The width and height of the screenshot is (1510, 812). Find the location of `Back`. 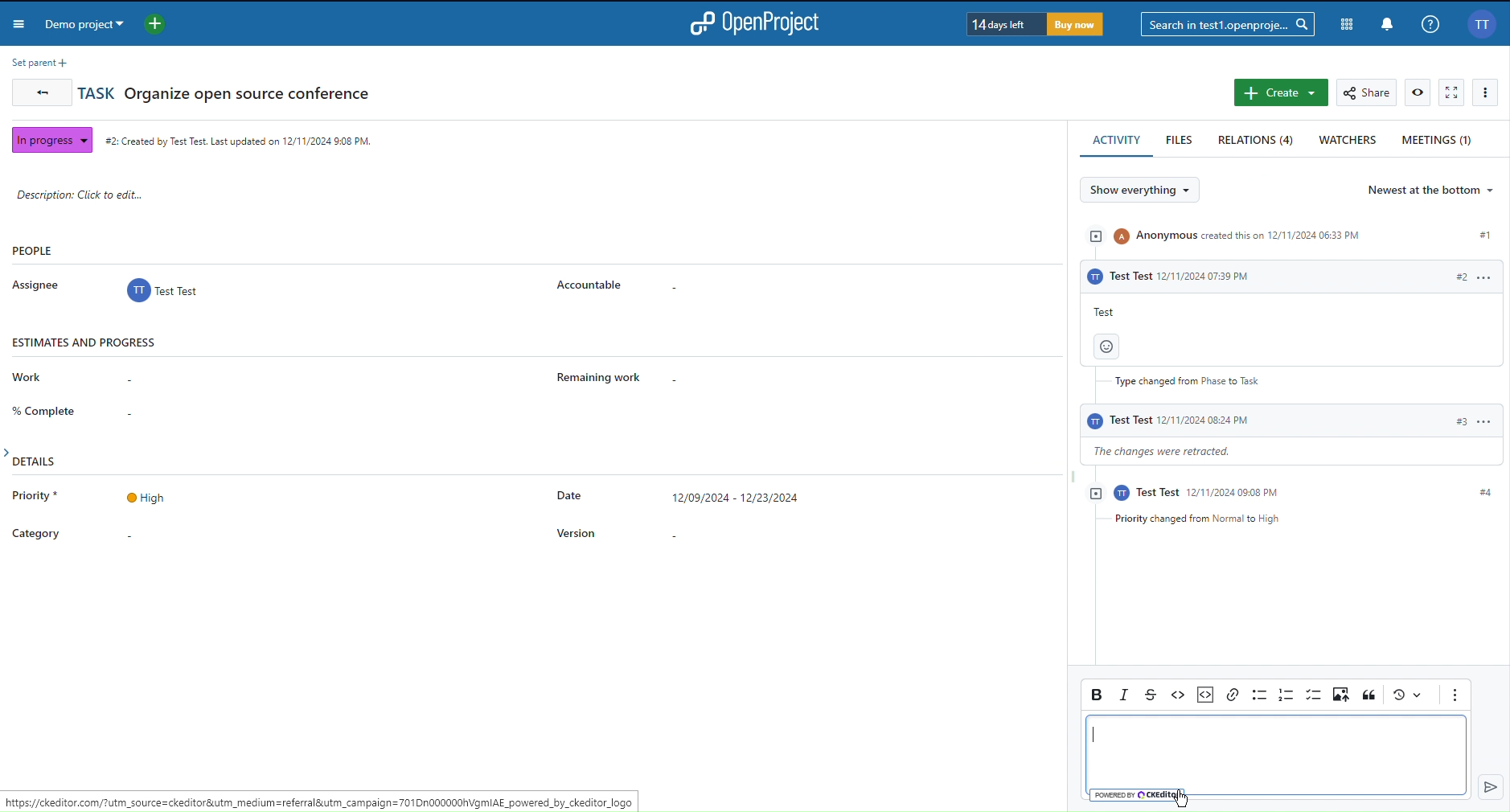

Back is located at coordinates (39, 95).